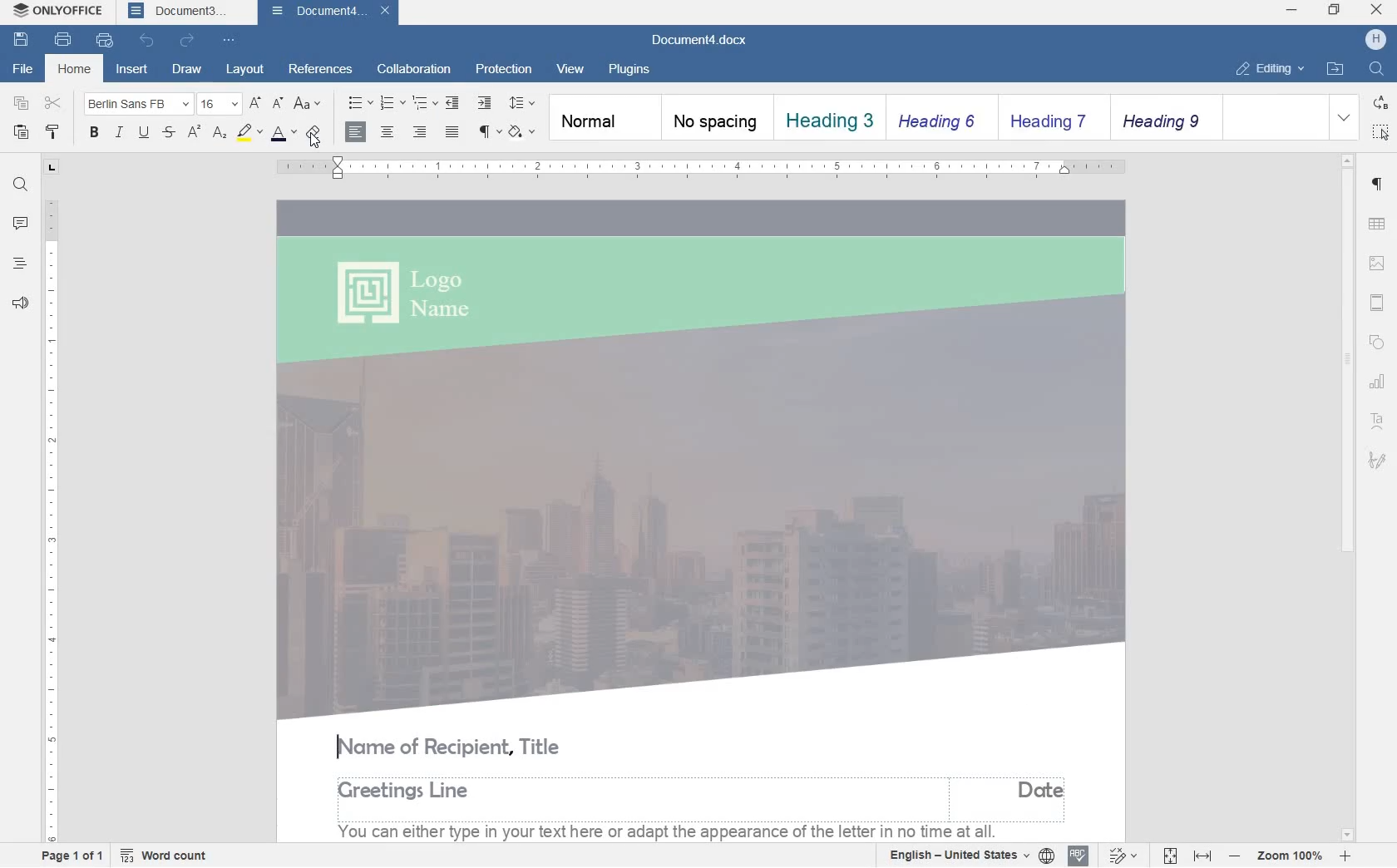  I want to click on ruler, so click(52, 518).